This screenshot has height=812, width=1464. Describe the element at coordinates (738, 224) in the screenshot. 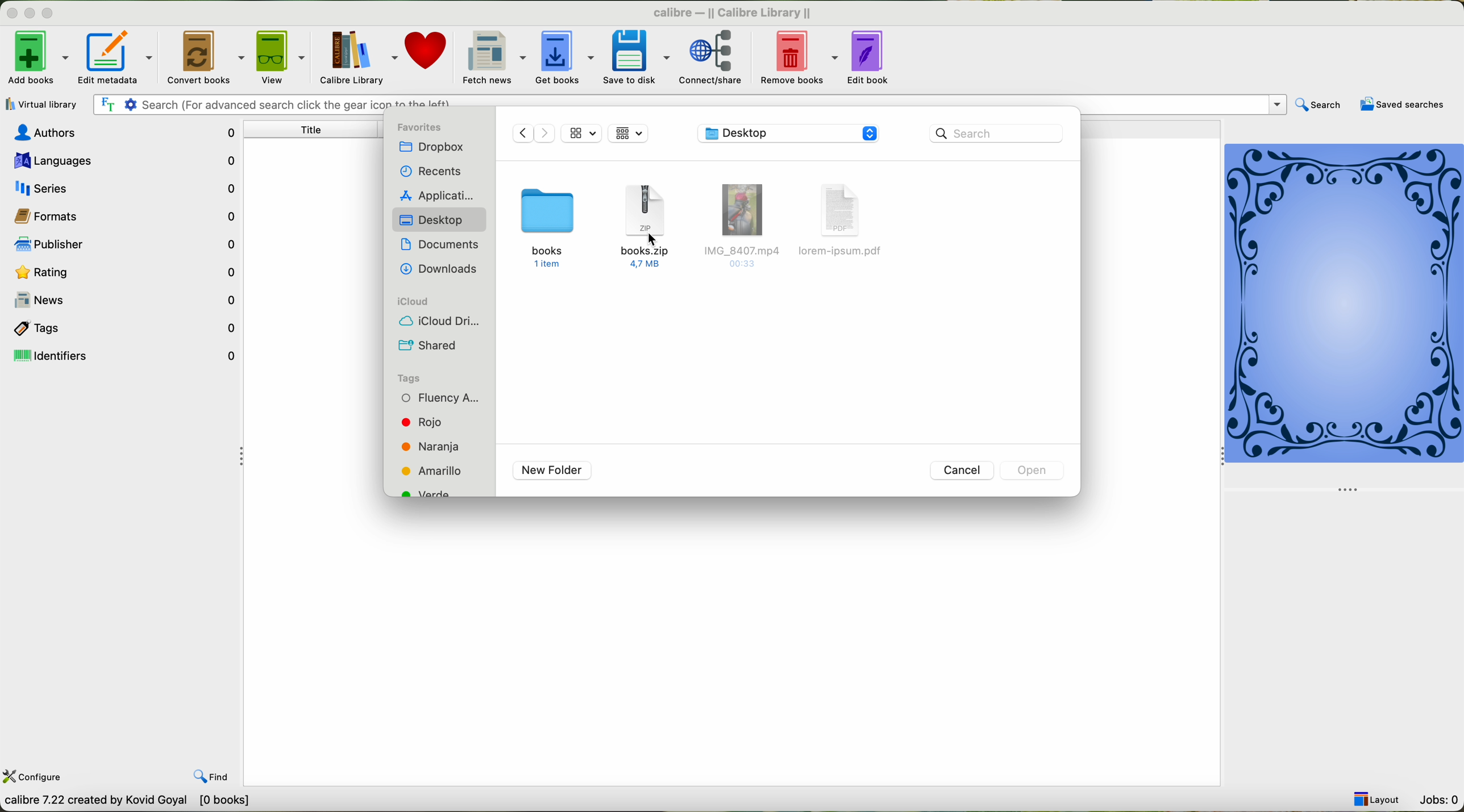

I see `IMG_8407.mp4` at that location.